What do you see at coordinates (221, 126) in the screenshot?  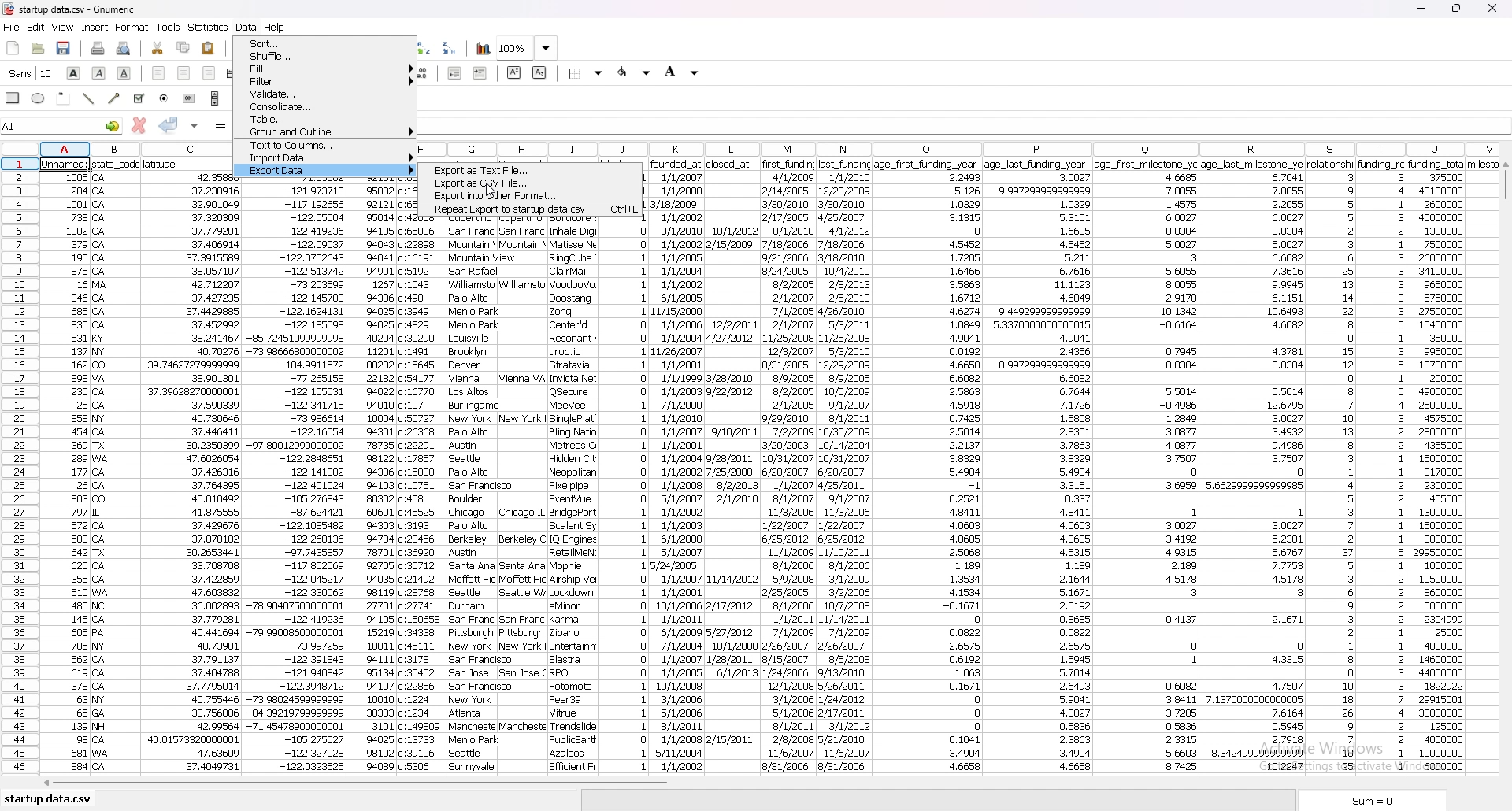 I see `formula` at bounding box center [221, 126].